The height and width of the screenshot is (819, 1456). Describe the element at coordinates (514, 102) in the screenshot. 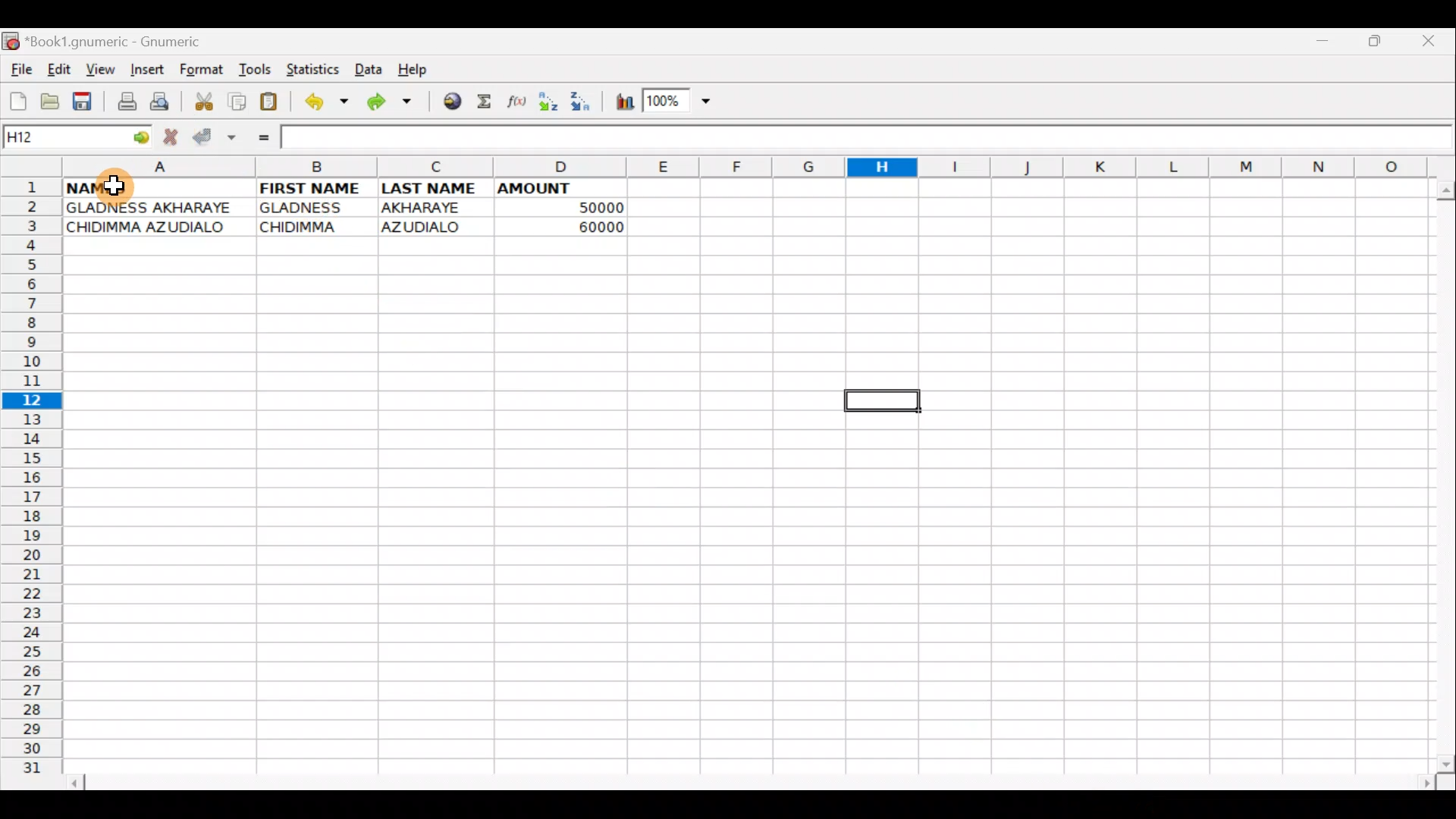

I see `Edit a function in the current cell` at that location.